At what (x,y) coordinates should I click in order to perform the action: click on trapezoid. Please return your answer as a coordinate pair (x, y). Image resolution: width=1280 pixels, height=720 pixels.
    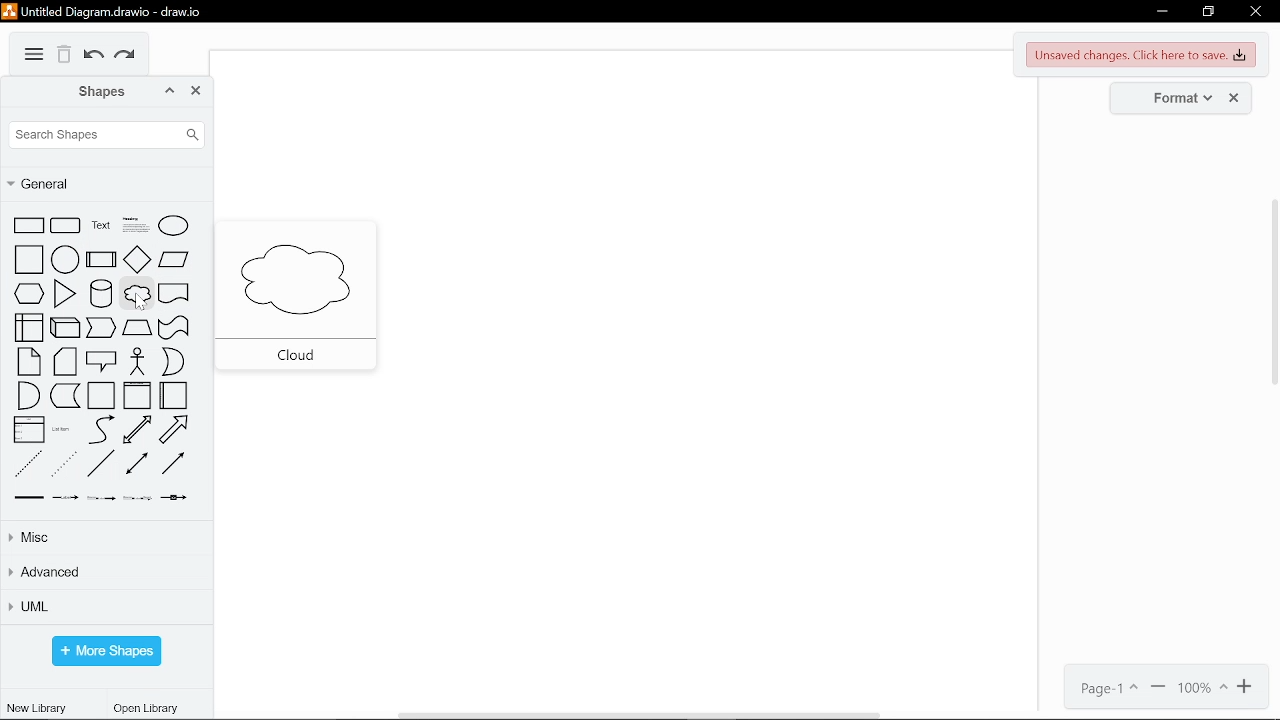
    Looking at the image, I should click on (138, 328).